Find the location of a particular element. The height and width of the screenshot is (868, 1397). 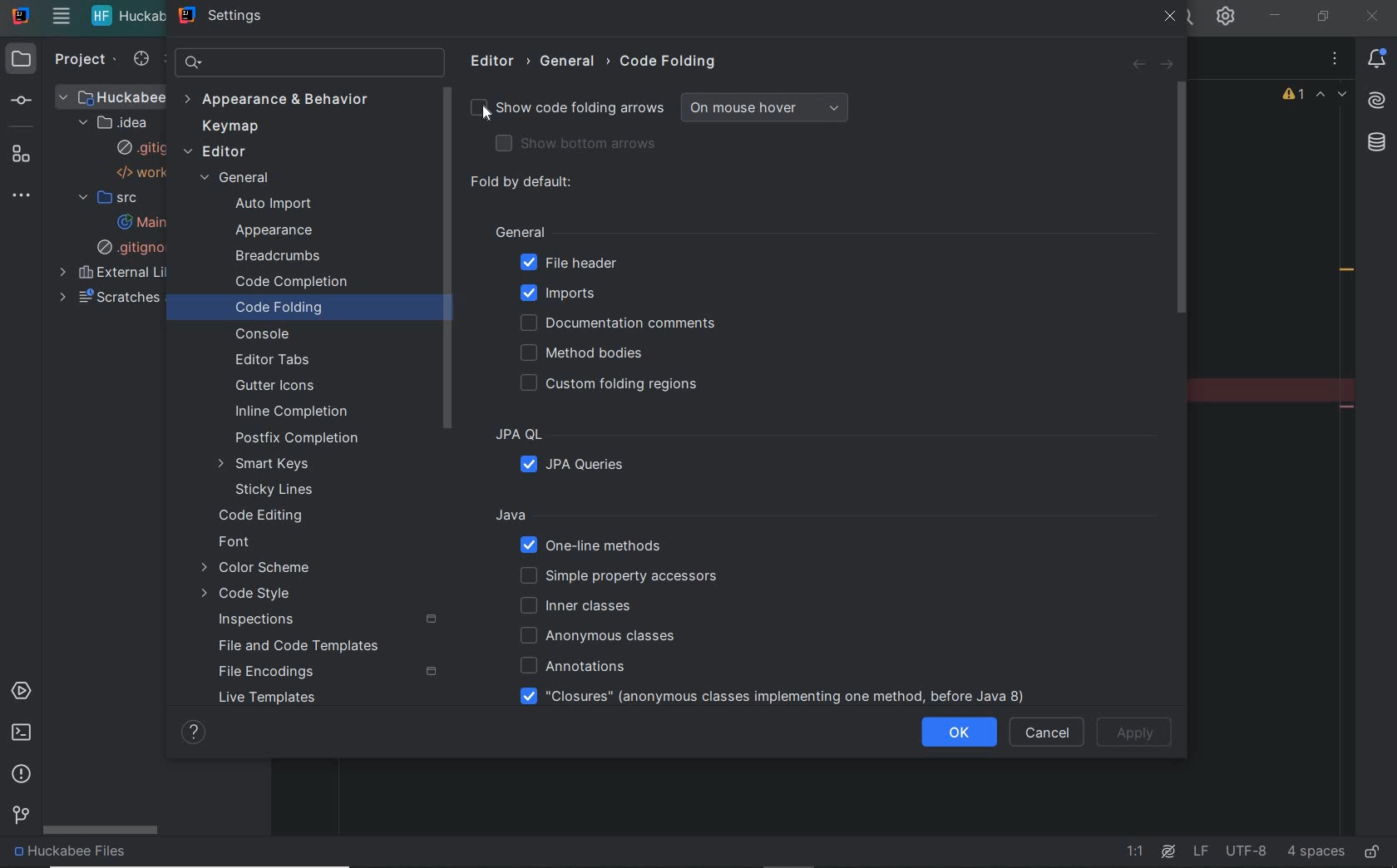

ok is located at coordinates (963, 733).